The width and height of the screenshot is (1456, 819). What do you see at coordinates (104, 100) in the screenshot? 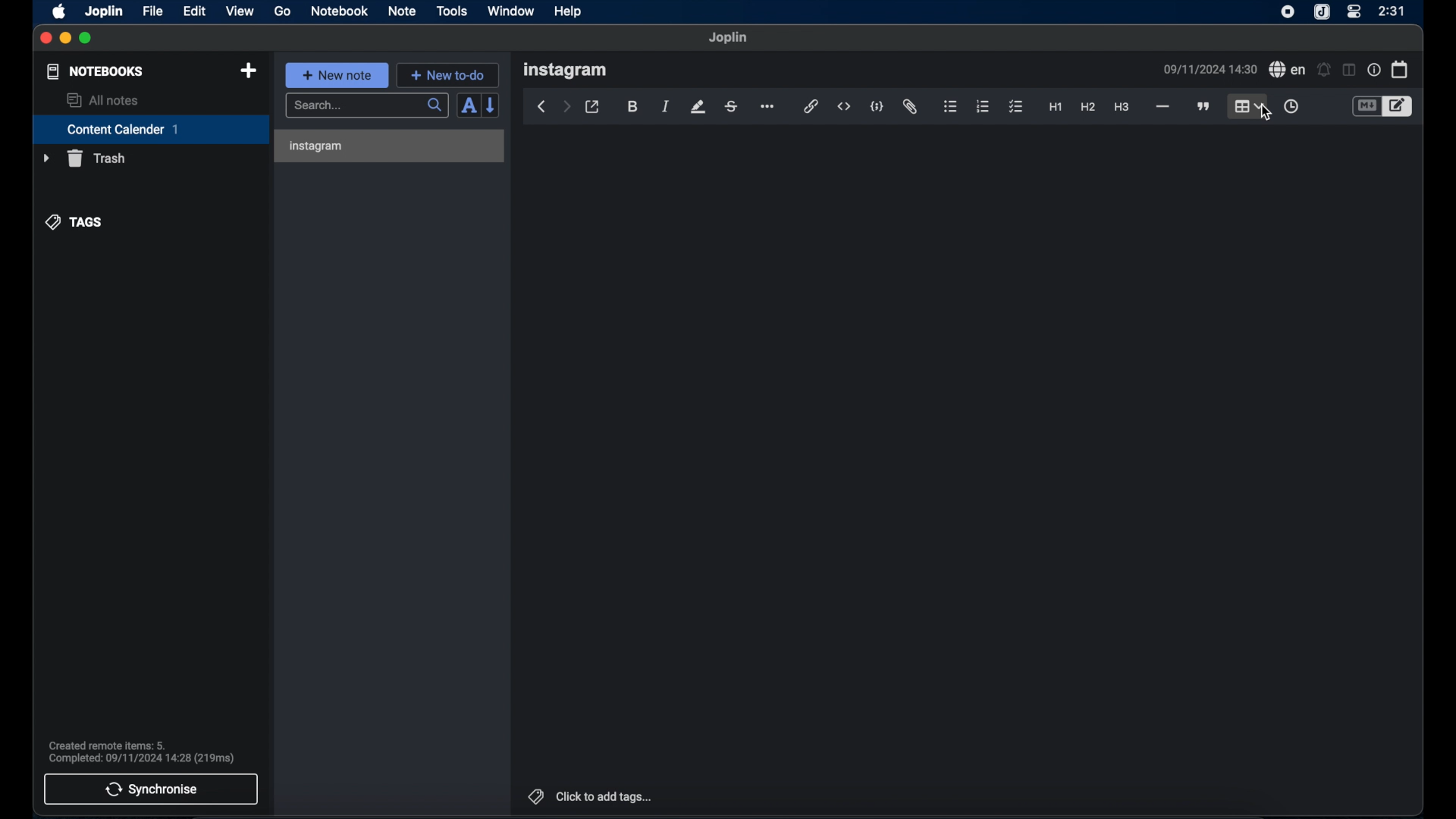
I see `allnotes` at bounding box center [104, 100].